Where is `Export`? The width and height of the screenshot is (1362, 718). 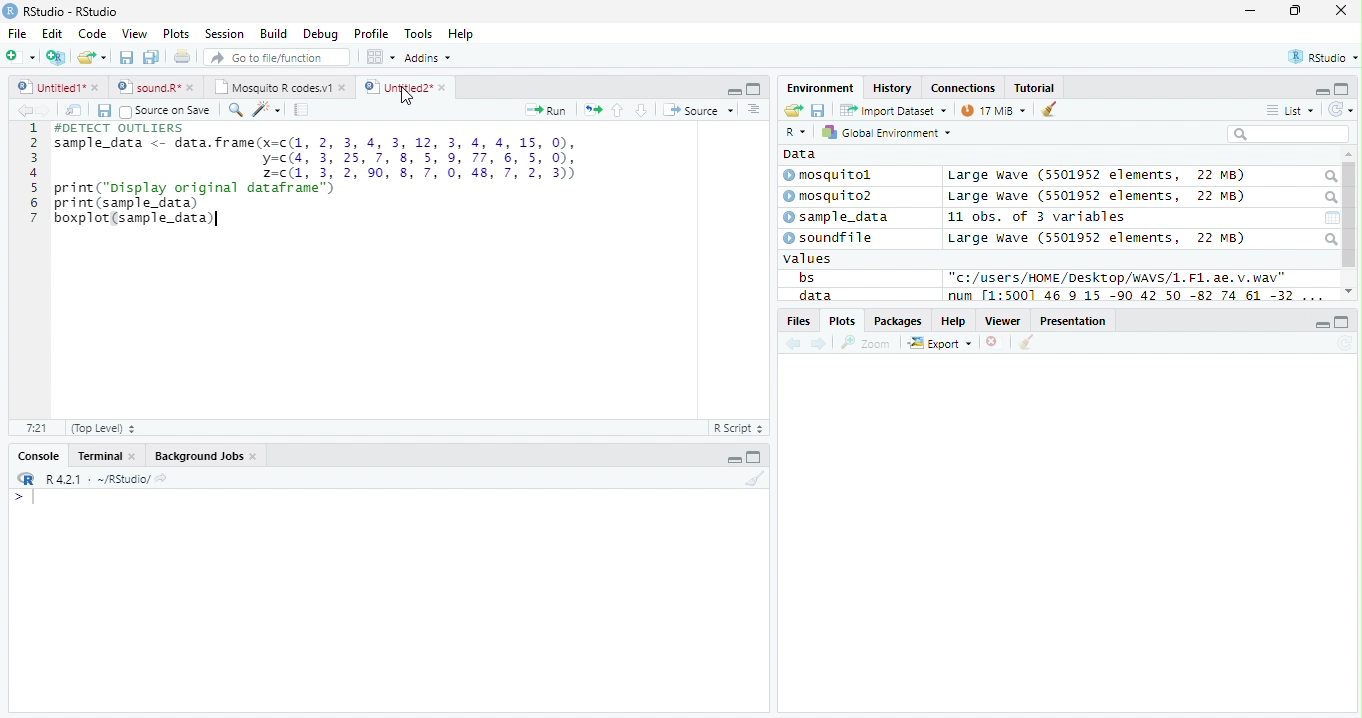 Export is located at coordinates (940, 344).